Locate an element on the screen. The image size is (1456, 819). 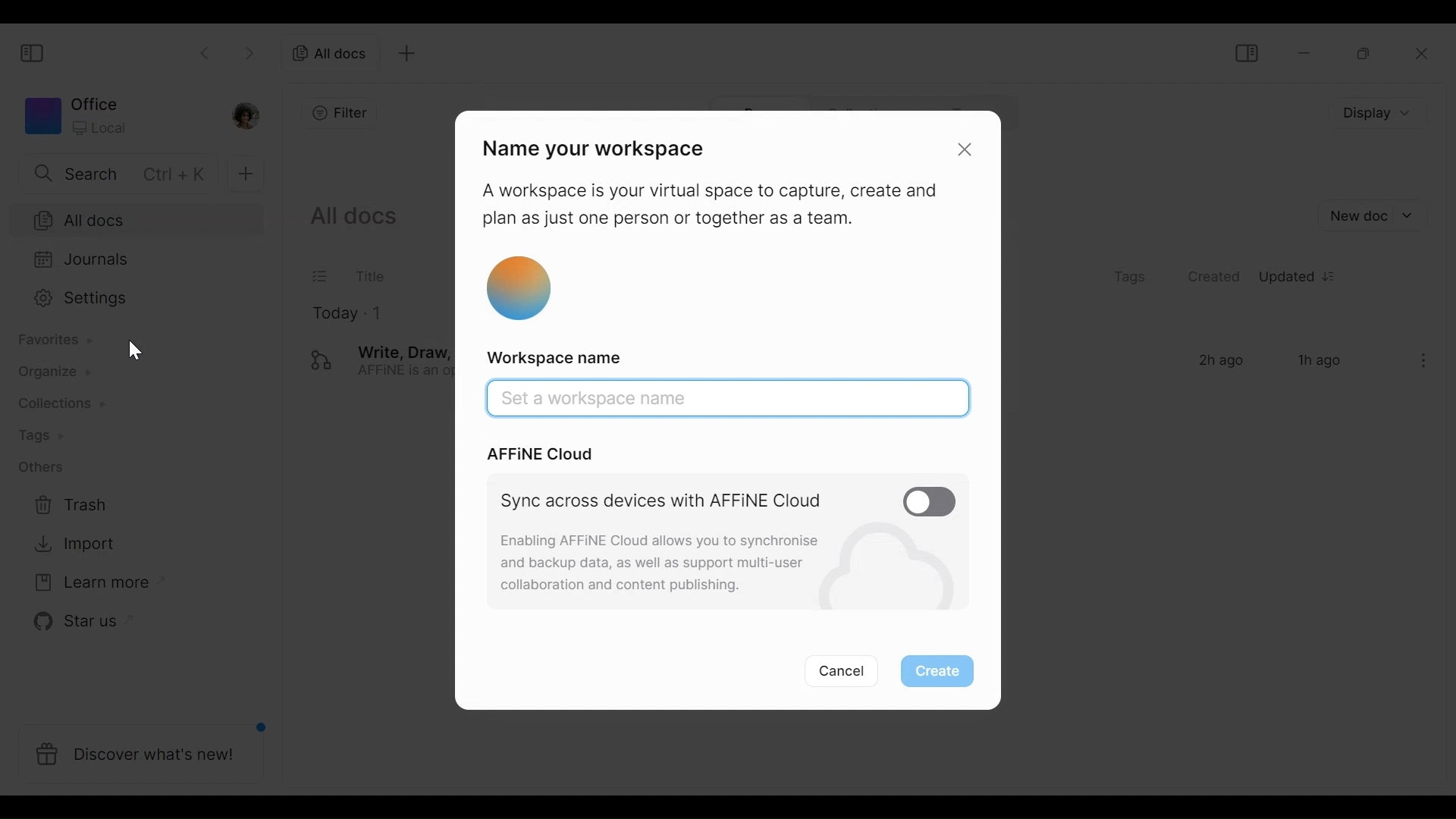
ellipsis is located at coordinates (1419, 359).